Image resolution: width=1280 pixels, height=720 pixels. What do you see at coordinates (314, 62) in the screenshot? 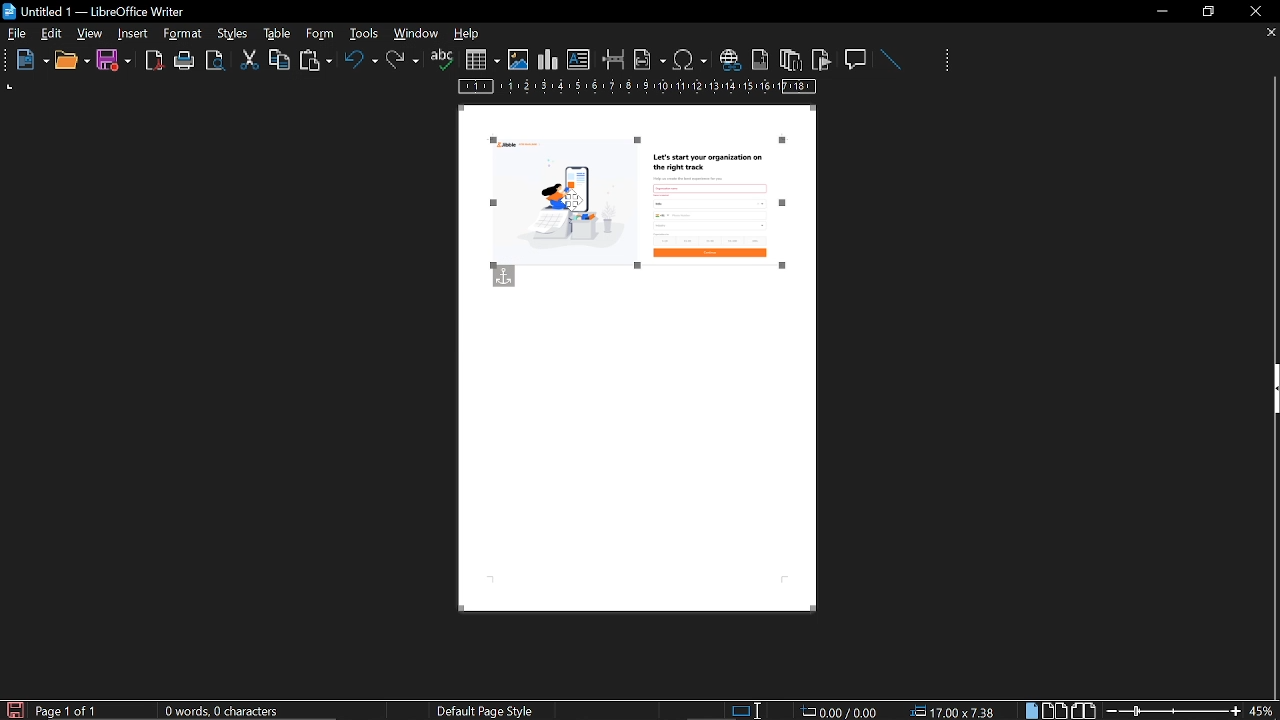
I see `paste` at bounding box center [314, 62].